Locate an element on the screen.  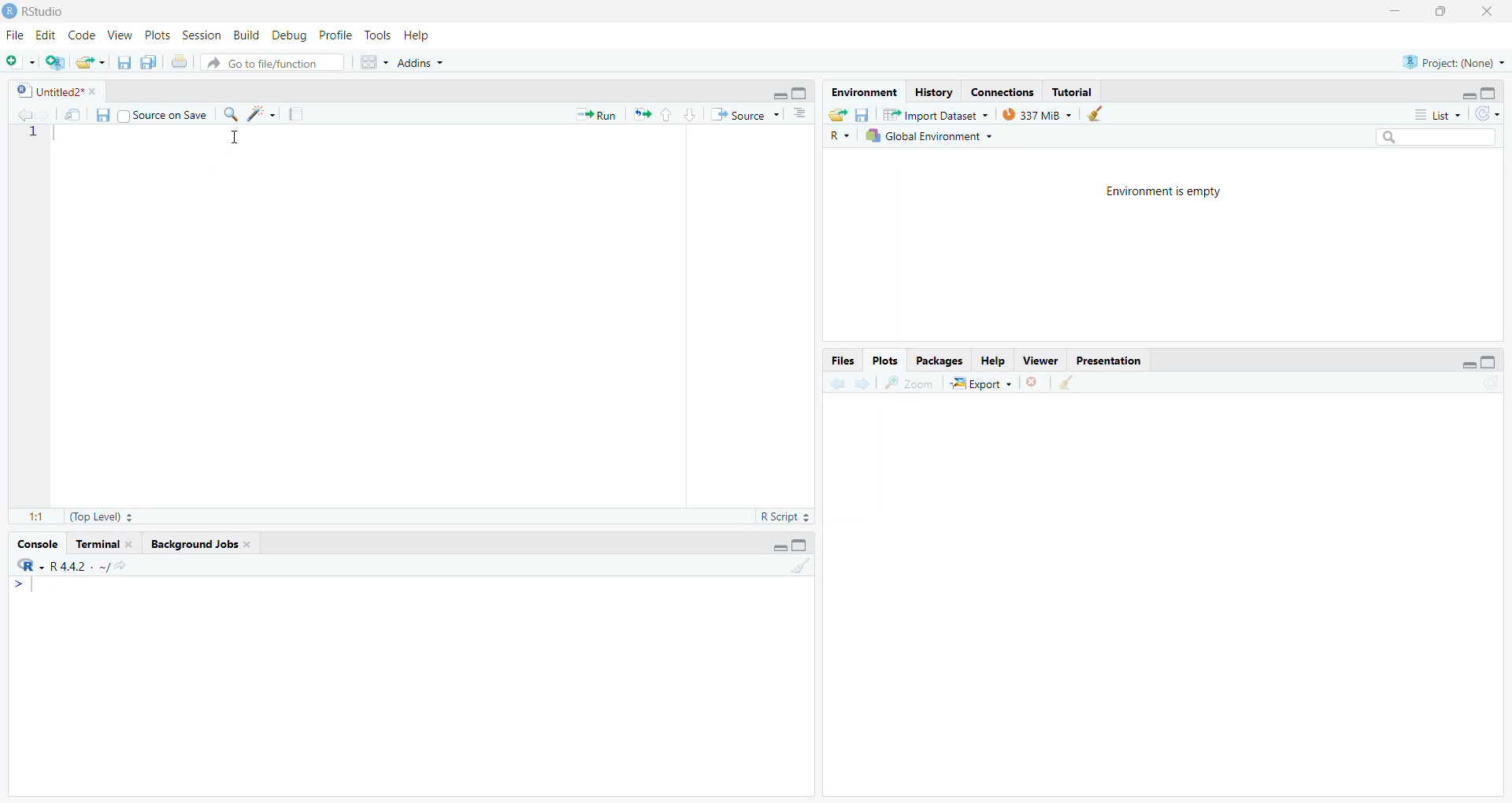
Export ~ is located at coordinates (984, 386).